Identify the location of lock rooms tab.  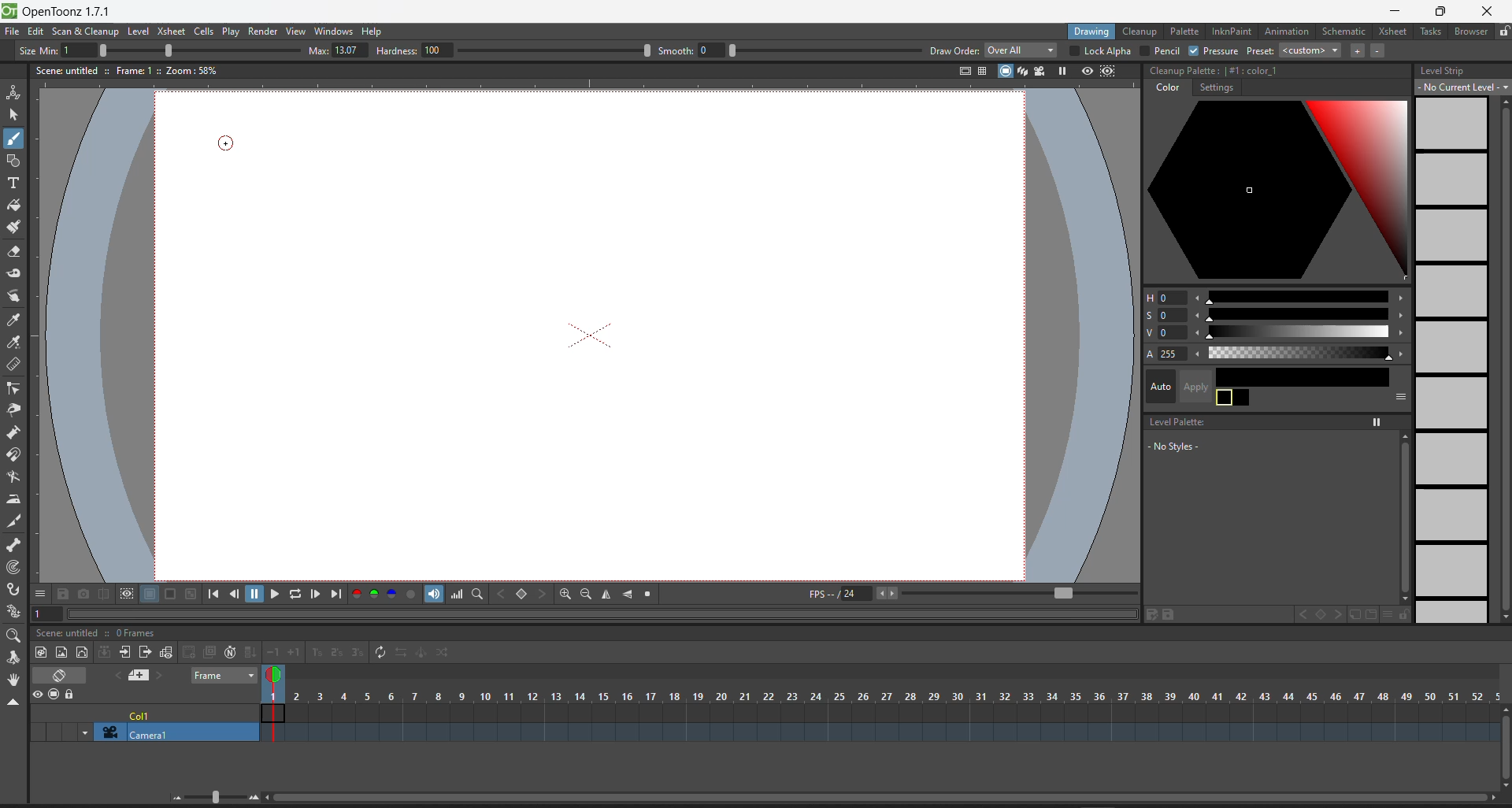
(1503, 32).